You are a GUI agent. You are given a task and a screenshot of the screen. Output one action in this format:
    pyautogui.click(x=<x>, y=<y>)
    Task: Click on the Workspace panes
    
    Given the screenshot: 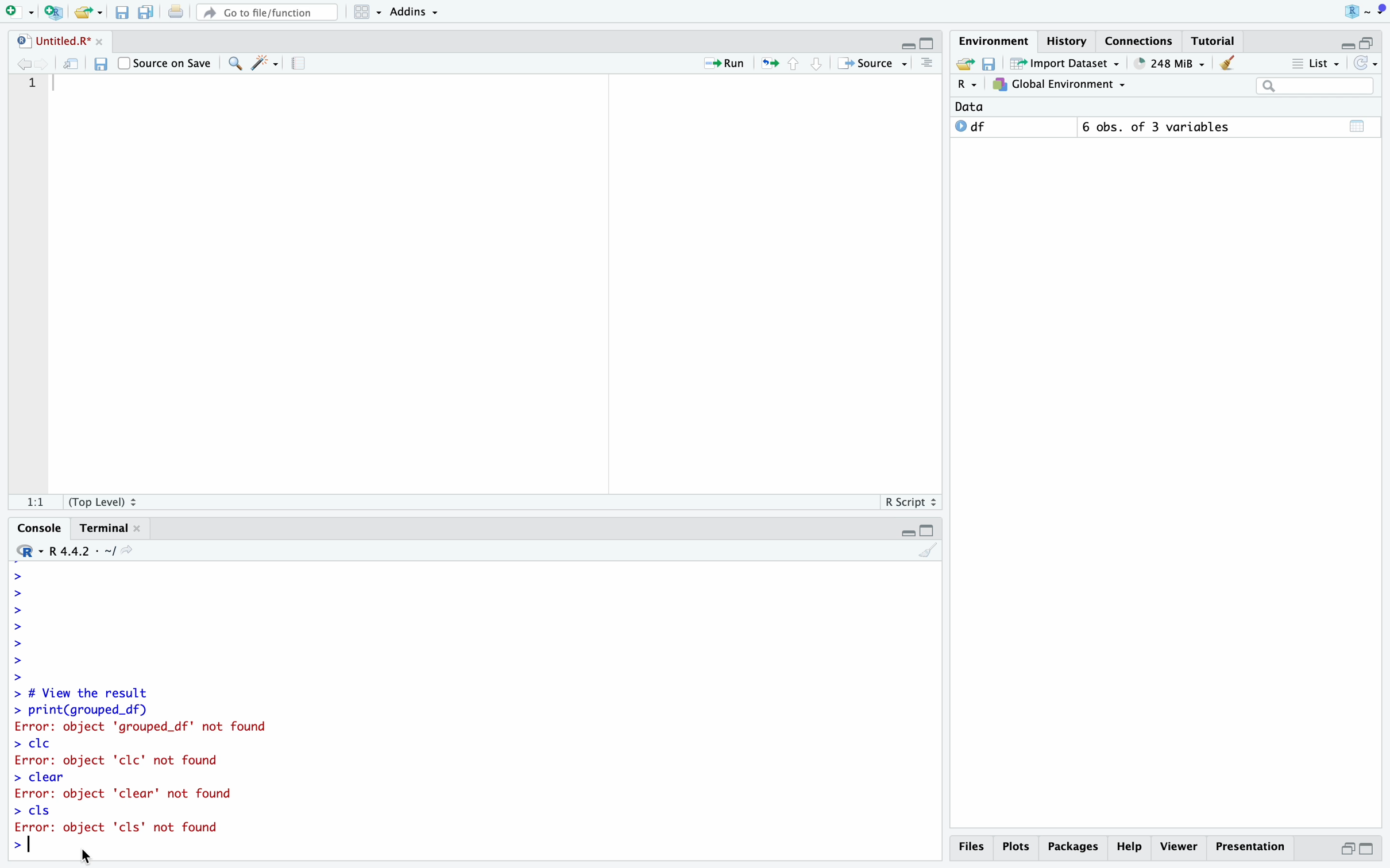 What is the action you would take?
    pyautogui.click(x=365, y=13)
    